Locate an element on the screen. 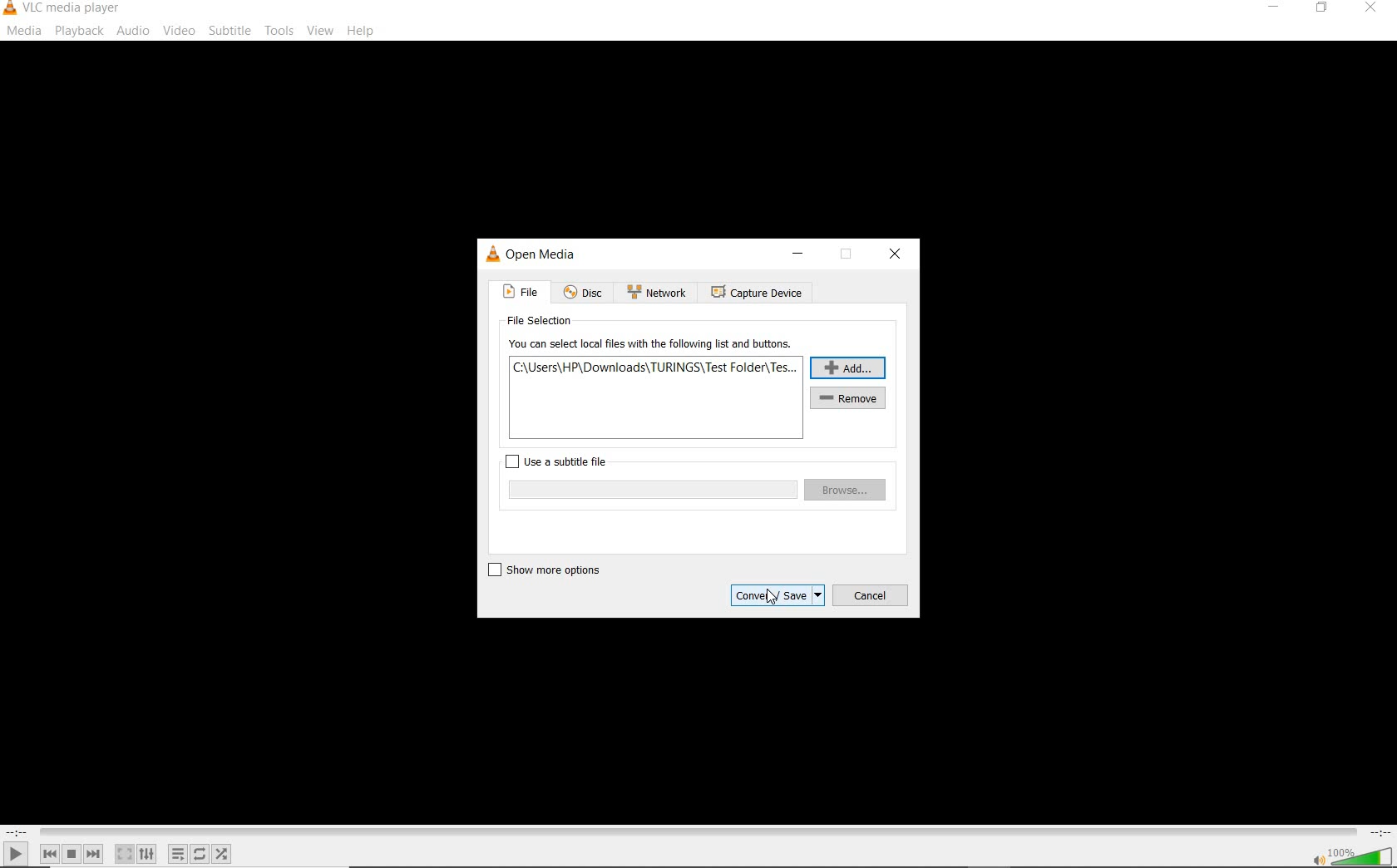 This screenshot has height=868, width=1397. click to toggle between loop all is located at coordinates (200, 853).